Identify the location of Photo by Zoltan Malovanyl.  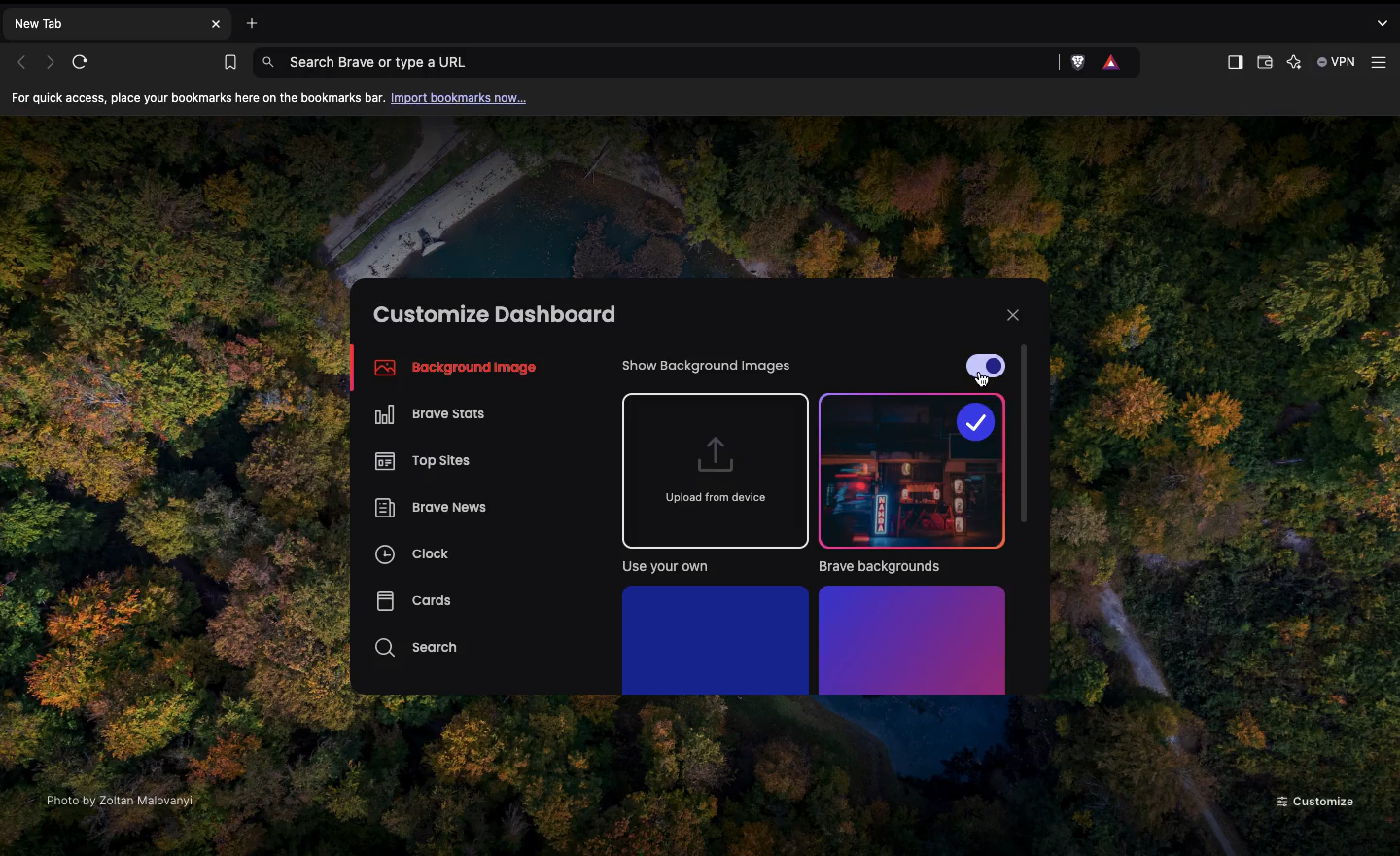
(124, 801).